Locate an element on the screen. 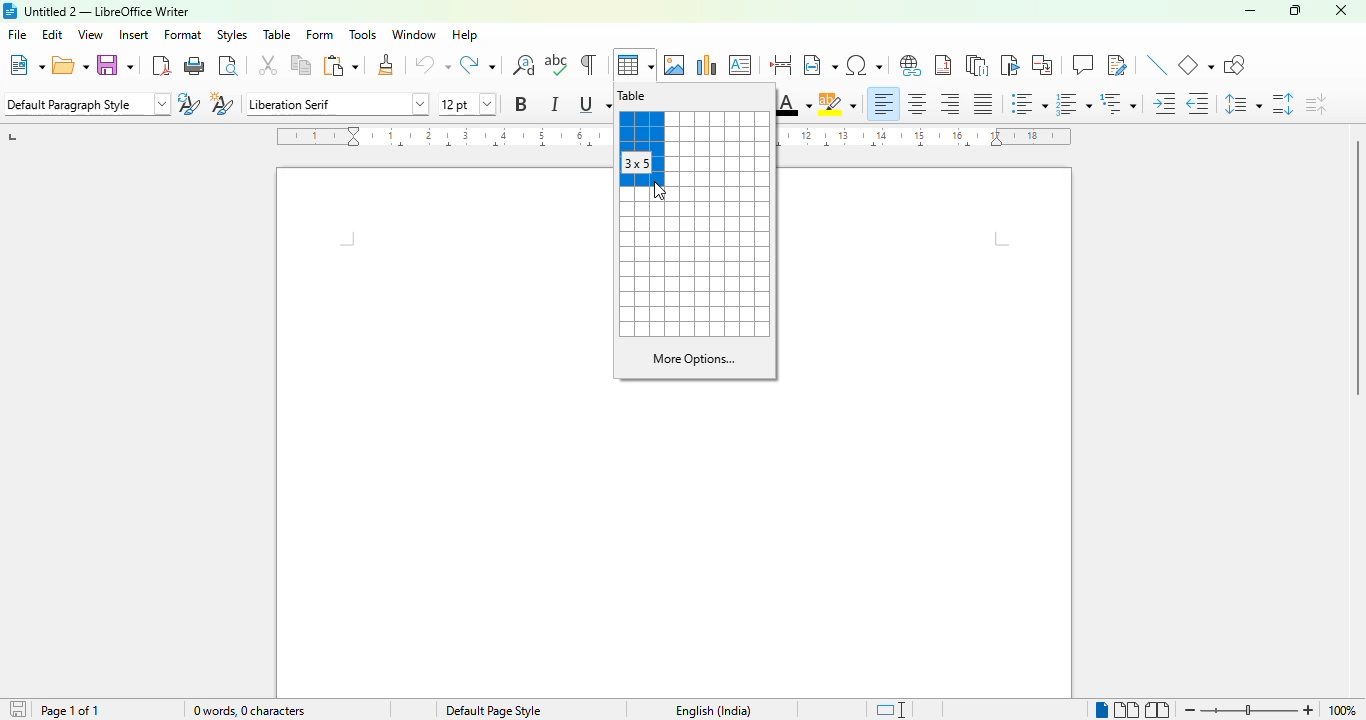 Image resolution: width=1366 pixels, height=720 pixels. redo is located at coordinates (478, 64).